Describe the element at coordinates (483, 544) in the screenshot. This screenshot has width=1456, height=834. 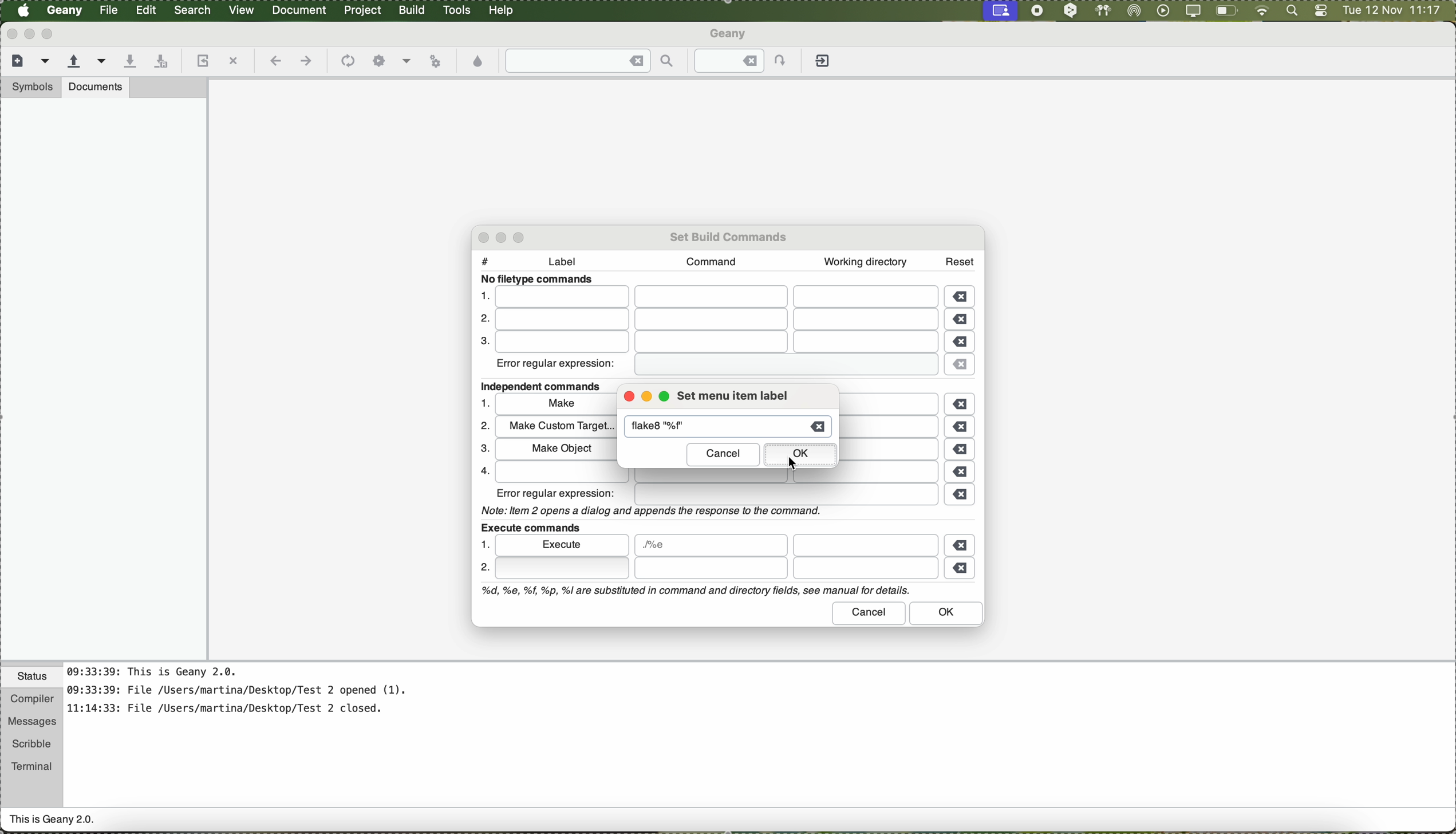
I see `1` at that location.